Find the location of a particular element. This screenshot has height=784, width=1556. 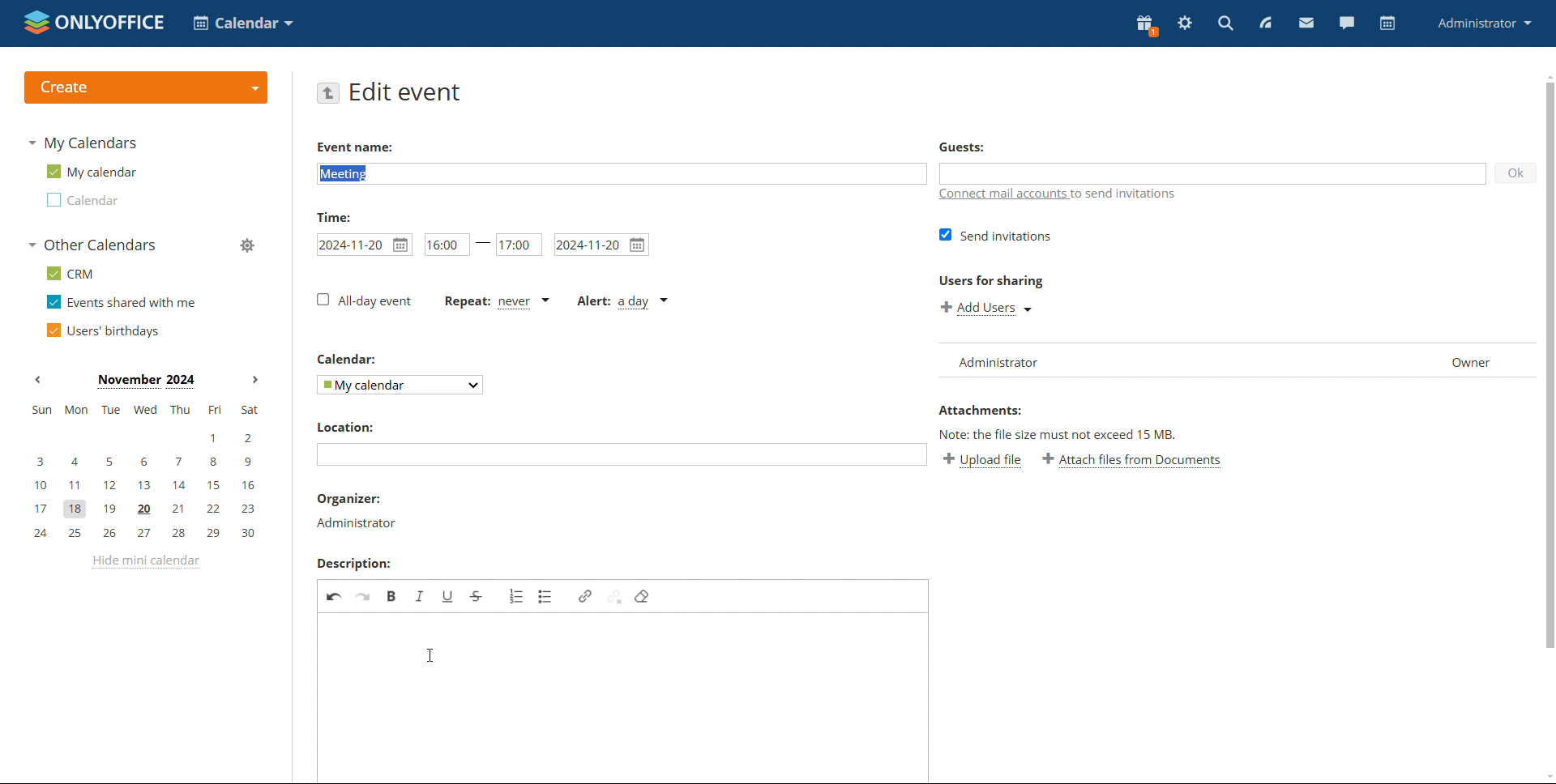

select application is located at coordinates (242, 23).